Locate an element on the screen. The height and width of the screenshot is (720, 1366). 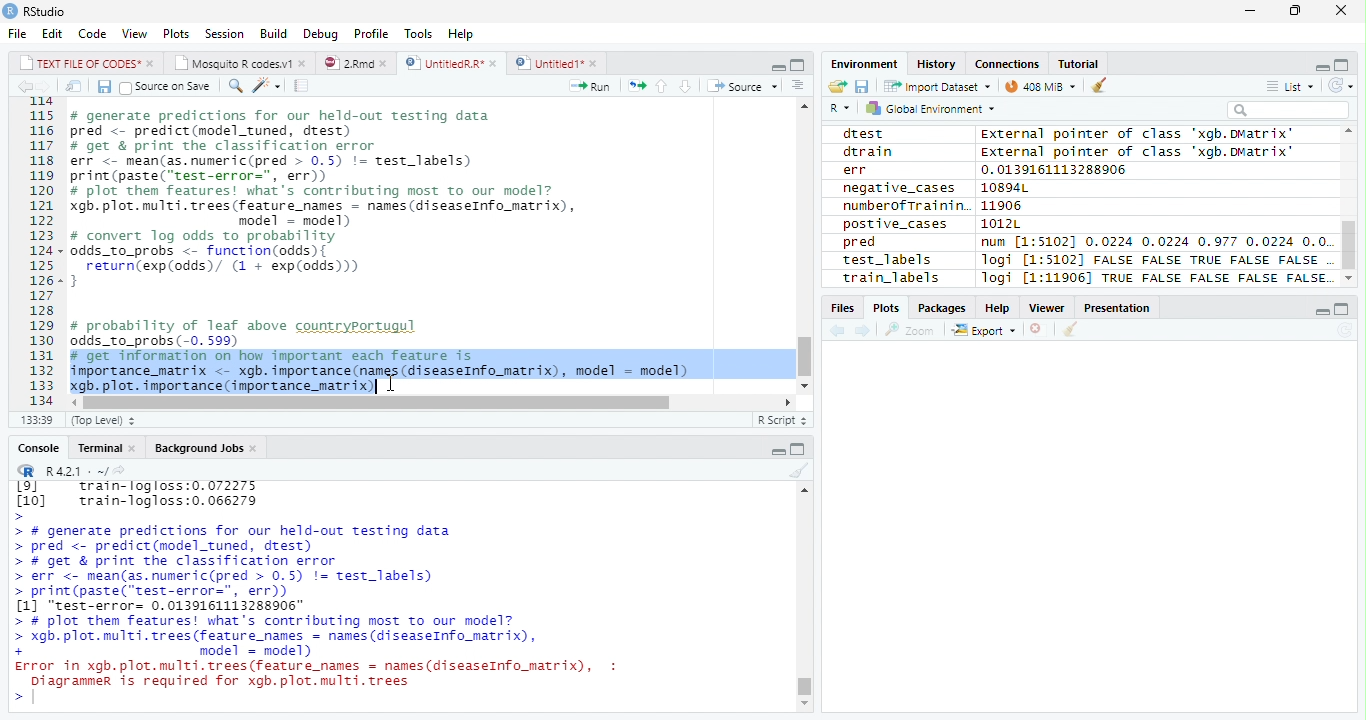
Show directory is located at coordinates (119, 469).